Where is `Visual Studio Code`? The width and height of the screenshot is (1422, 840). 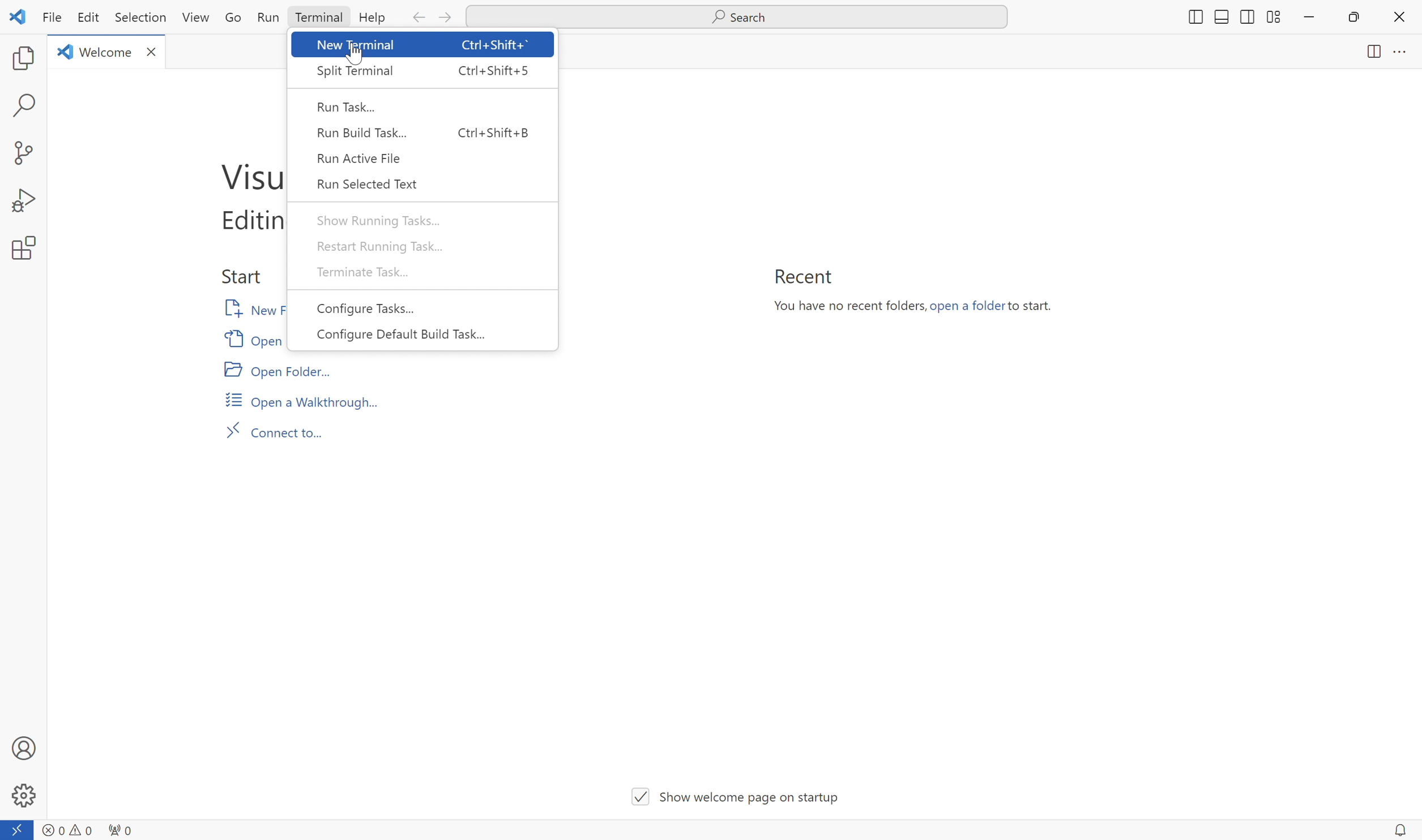 Visual Studio Code is located at coordinates (246, 173).